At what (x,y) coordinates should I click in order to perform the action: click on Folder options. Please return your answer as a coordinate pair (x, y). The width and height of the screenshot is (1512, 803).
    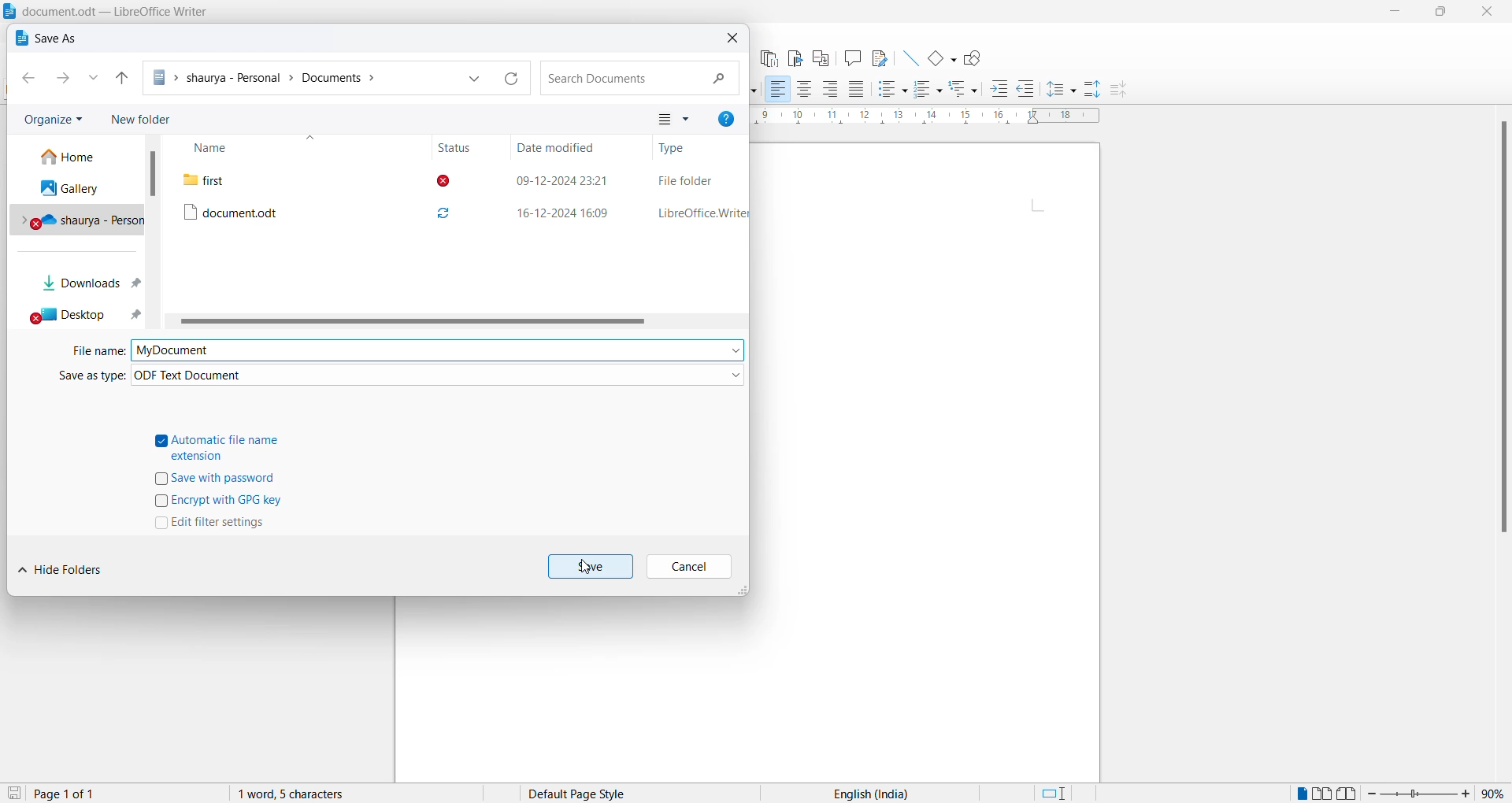
    Looking at the image, I should click on (479, 79).